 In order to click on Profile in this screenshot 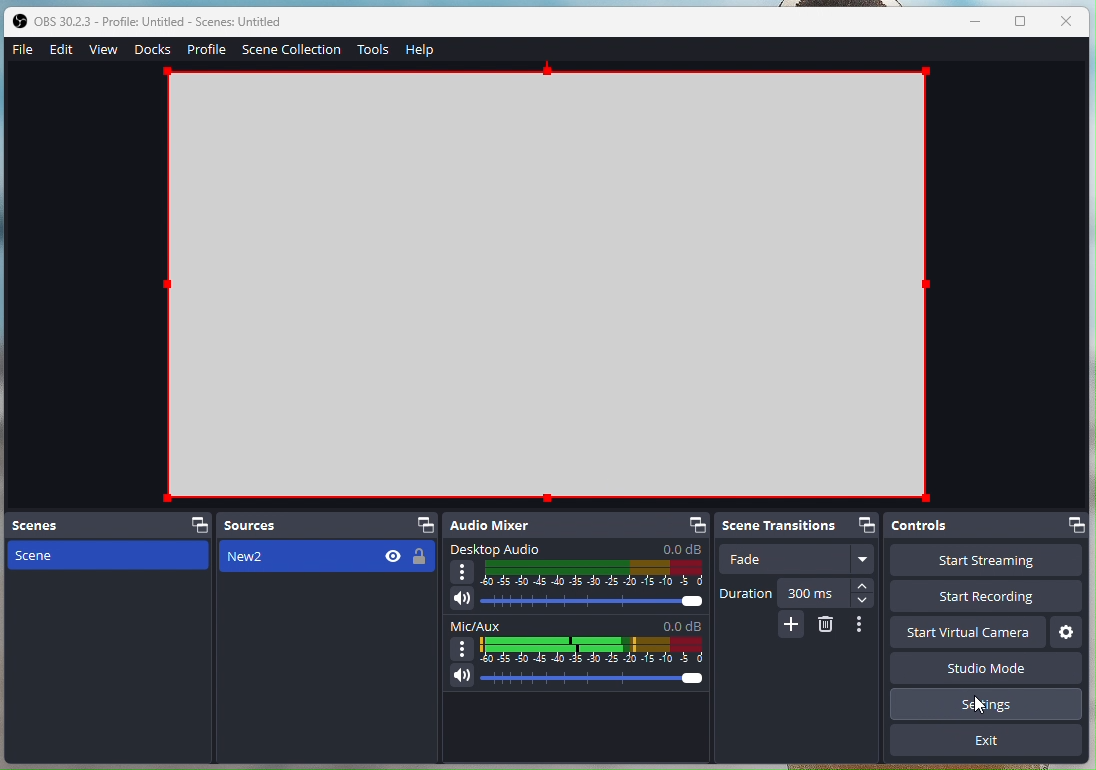, I will do `click(208, 49)`.